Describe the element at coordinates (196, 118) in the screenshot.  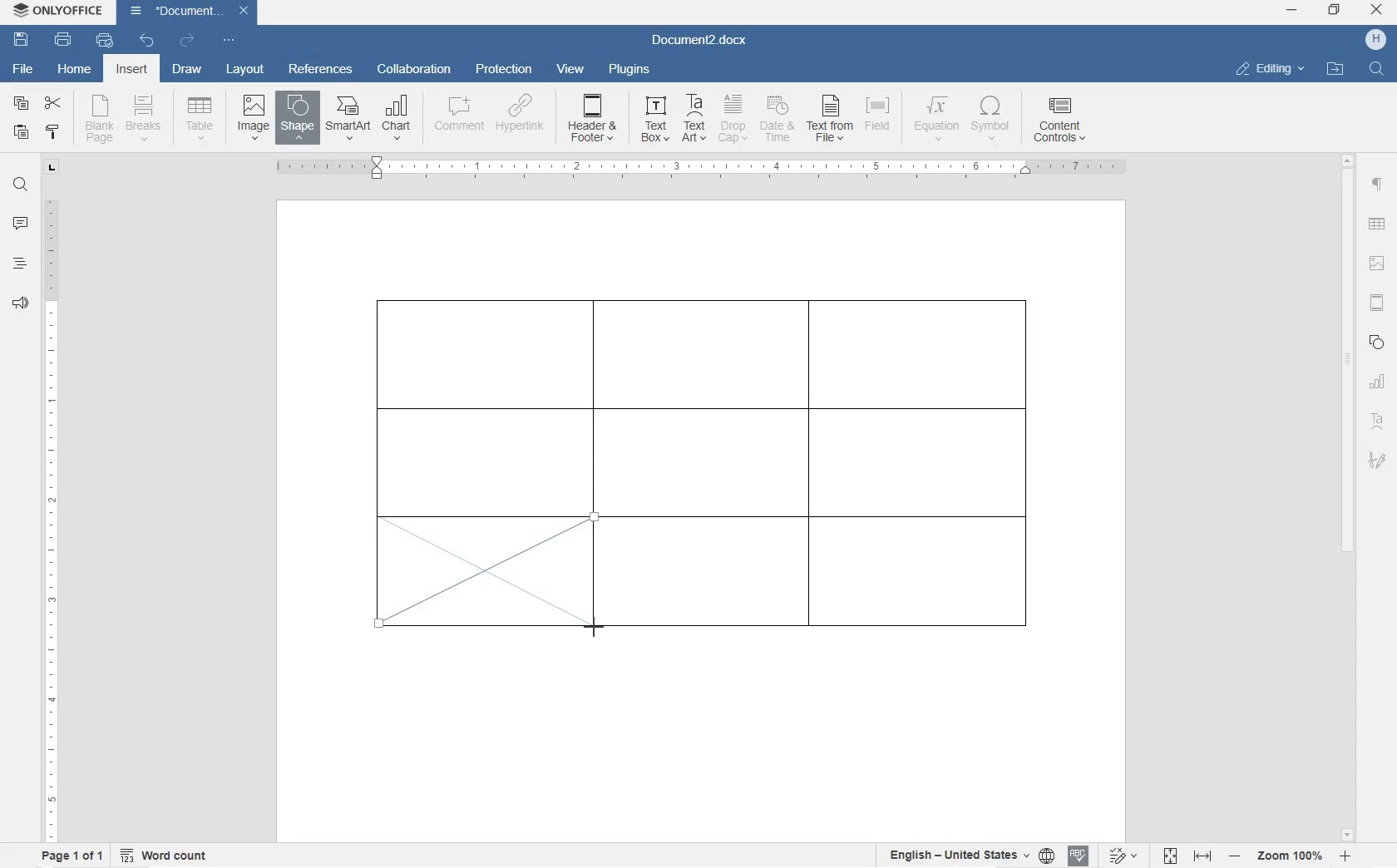
I see `insert table` at that location.